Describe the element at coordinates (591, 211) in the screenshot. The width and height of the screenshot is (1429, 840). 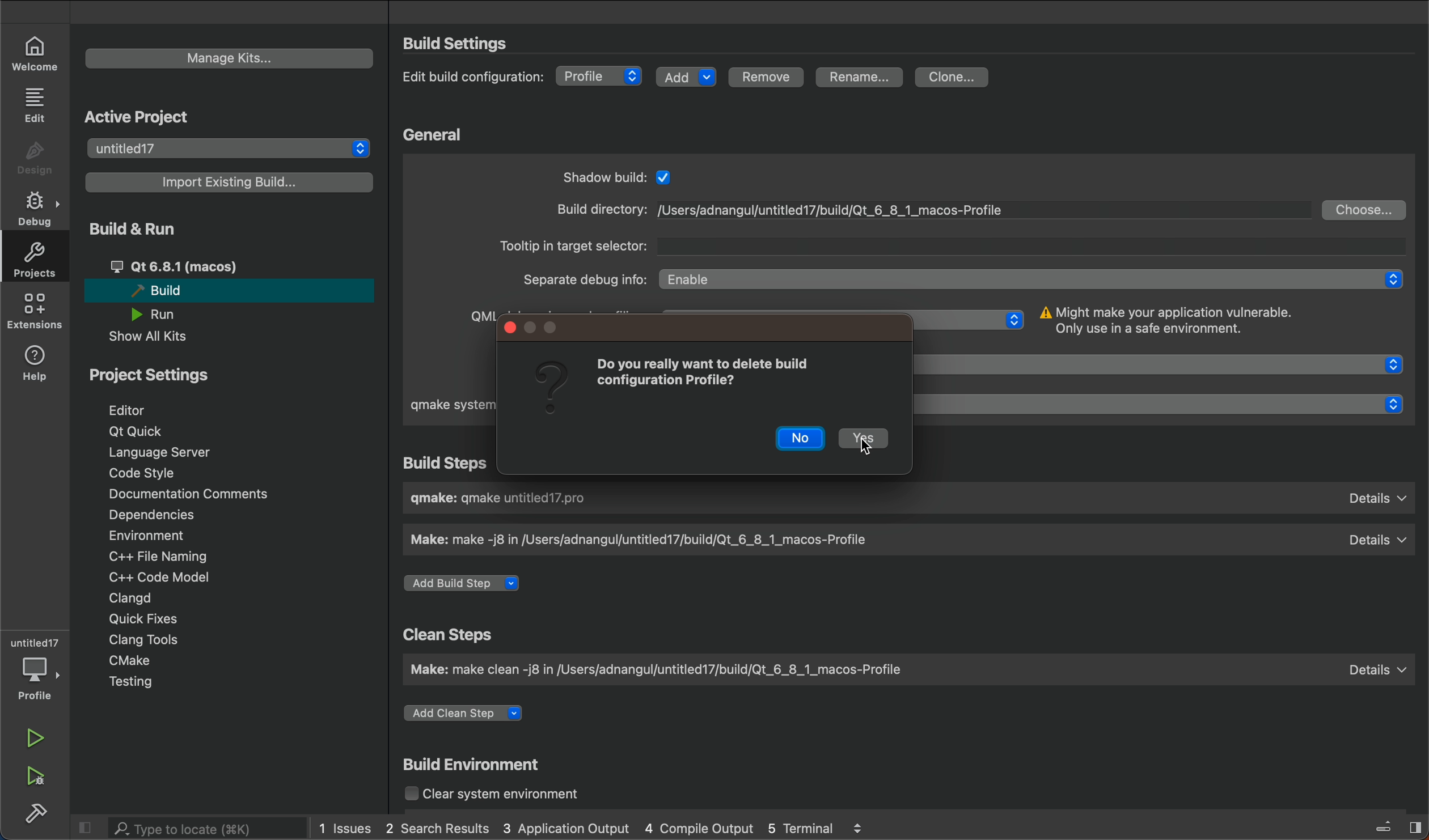
I see `build directory` at that location.